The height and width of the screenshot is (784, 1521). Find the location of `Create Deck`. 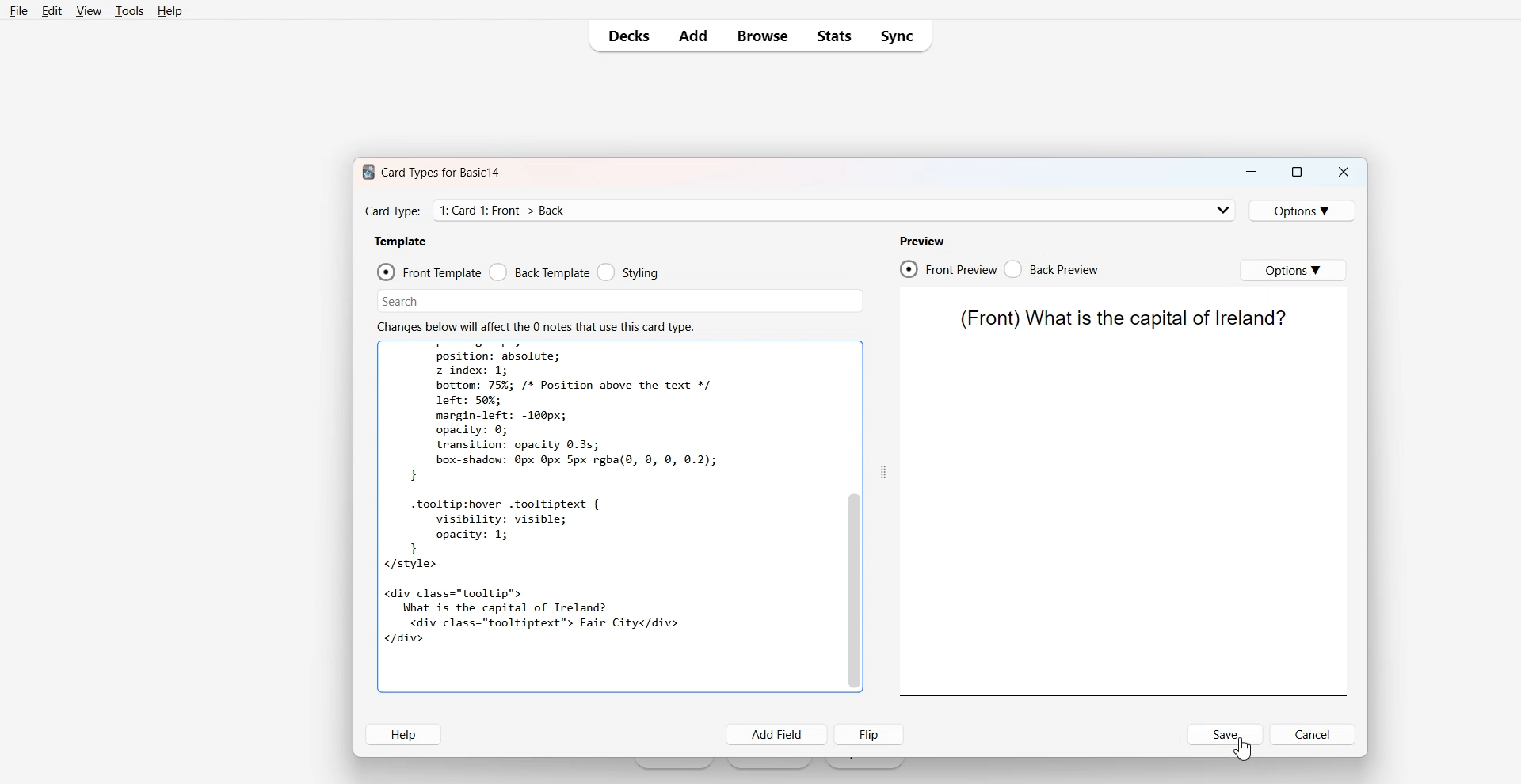

Create Deck is located at coordinates (770, 764).